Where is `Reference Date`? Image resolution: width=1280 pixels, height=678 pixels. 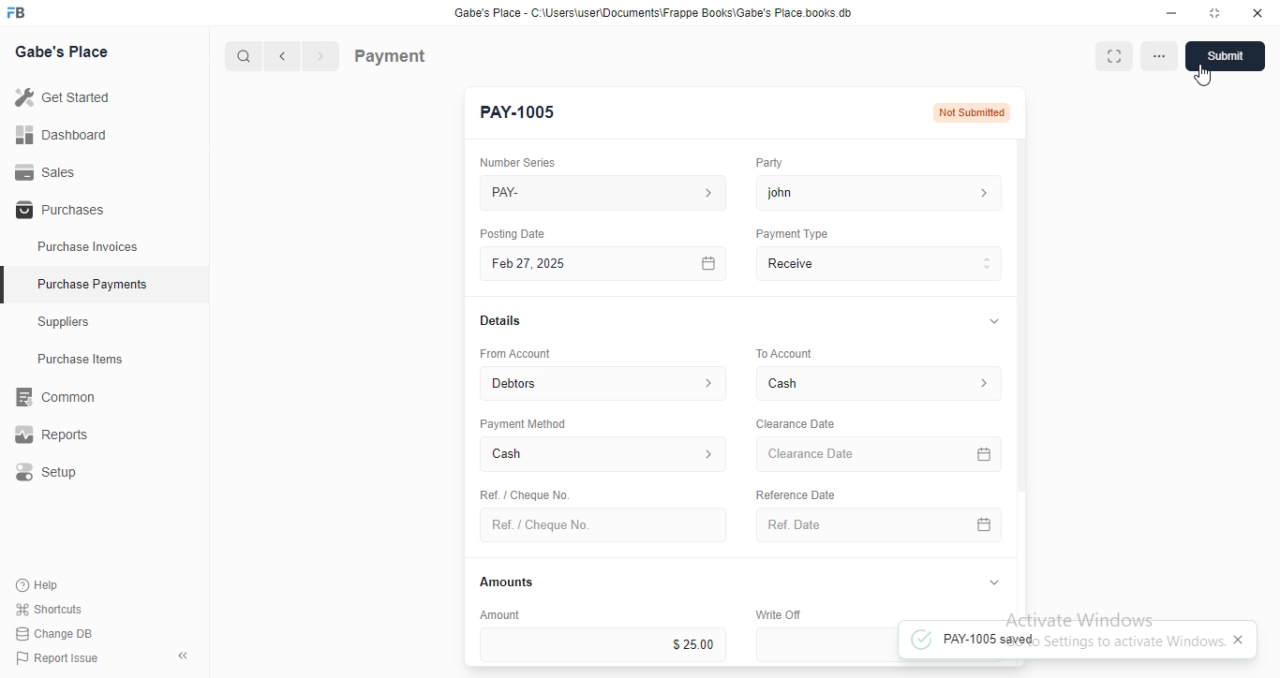 Reference Date is located at coordinates (794, 493).